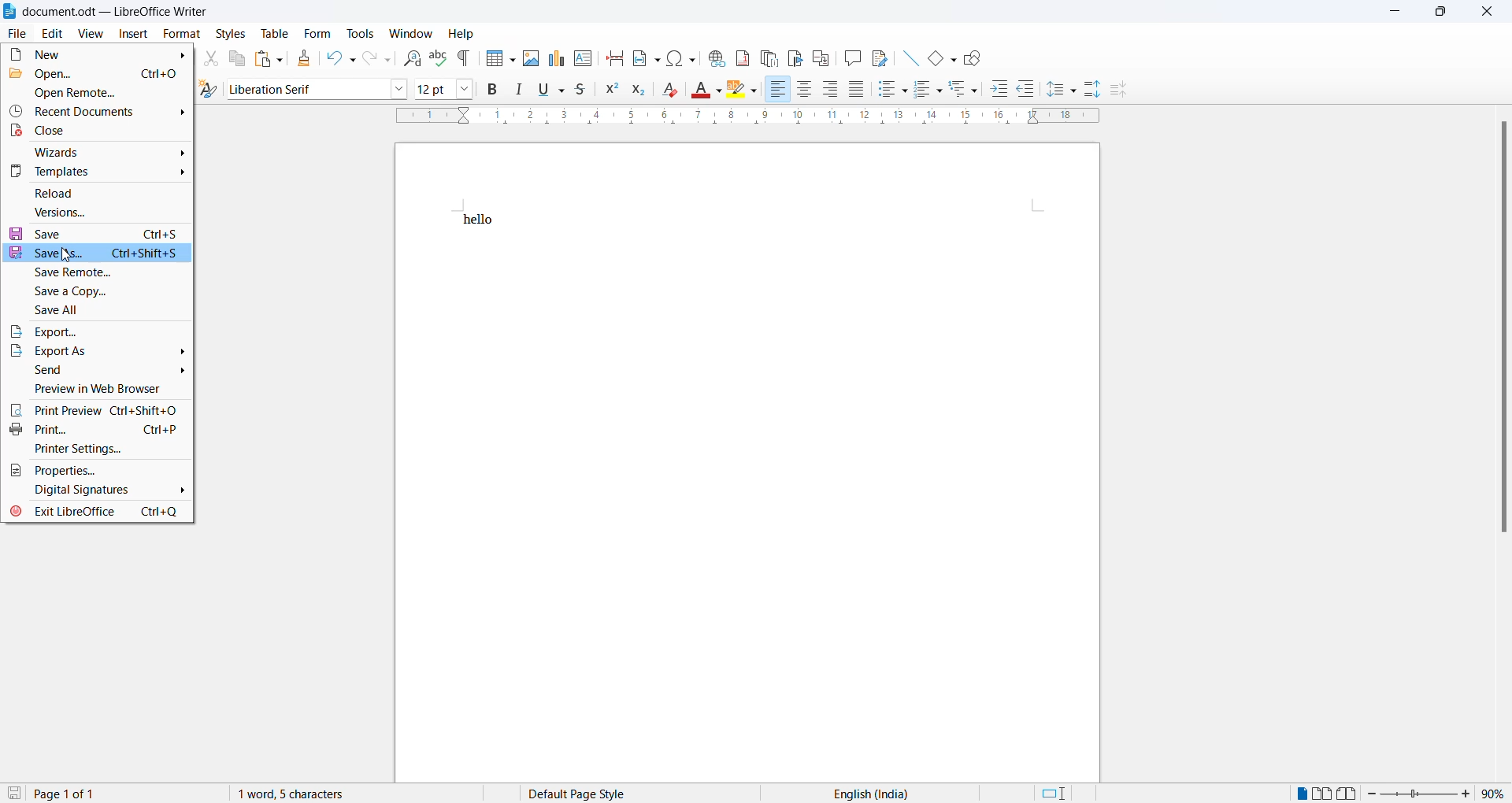 This screenshot has height=803, width=1512. I want to click on Selected pages style, so click(590, 794).